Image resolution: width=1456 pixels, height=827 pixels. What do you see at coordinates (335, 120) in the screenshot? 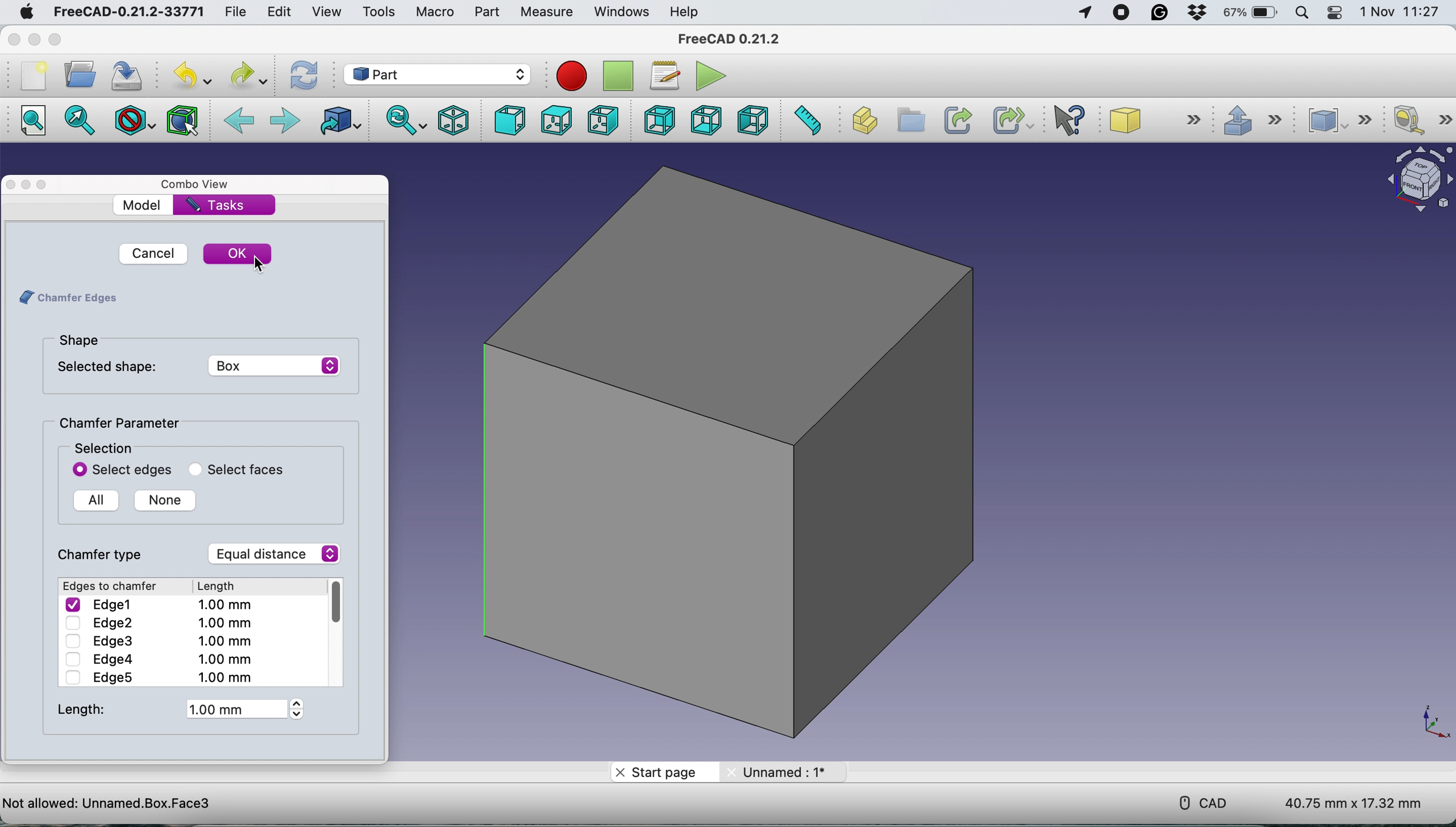
I see `go to linked object` at bounding box center [335, 120].